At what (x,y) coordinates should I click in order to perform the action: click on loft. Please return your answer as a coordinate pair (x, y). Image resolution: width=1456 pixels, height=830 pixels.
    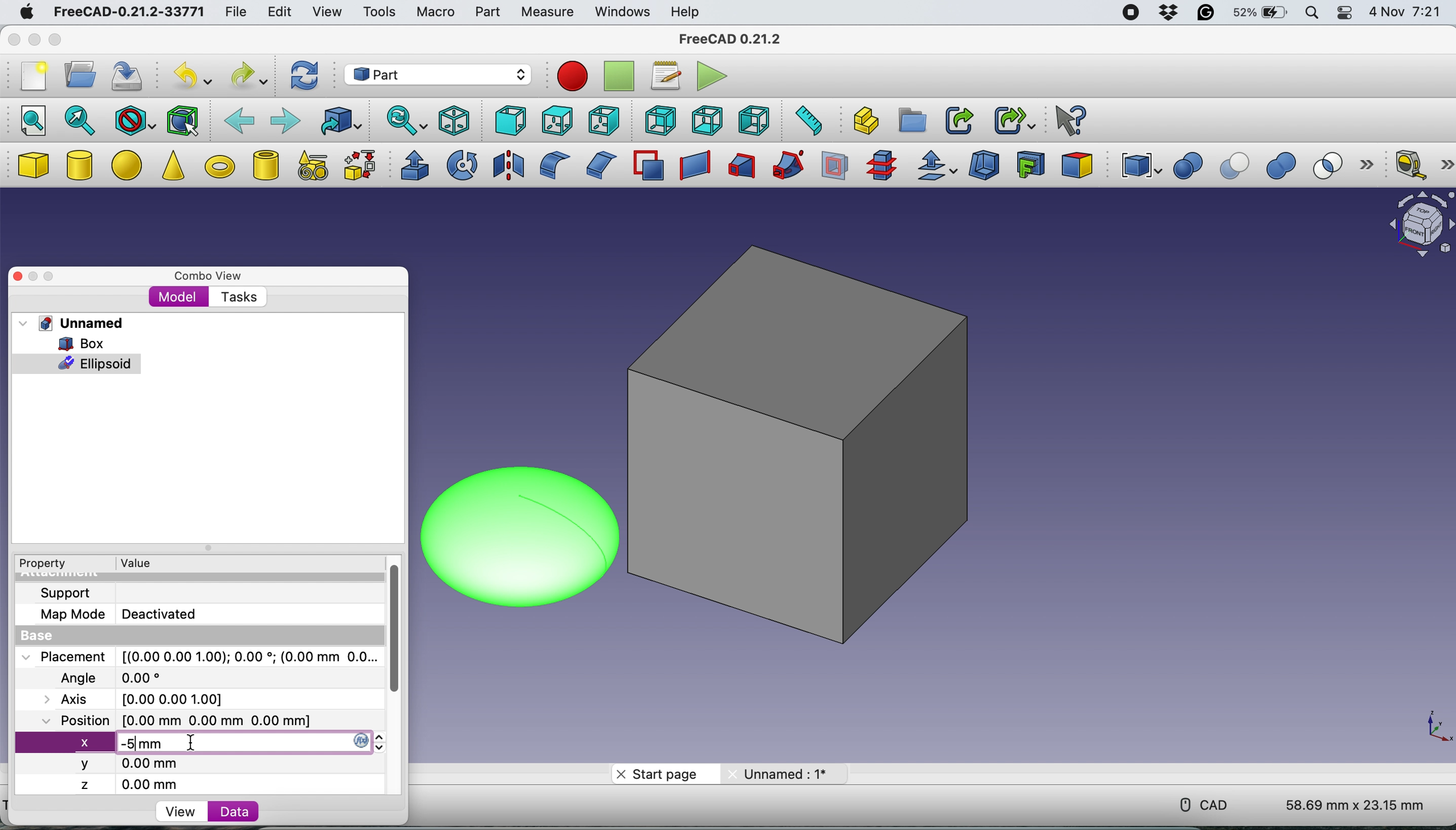
    Looking at the image, I should click on (740, 168).